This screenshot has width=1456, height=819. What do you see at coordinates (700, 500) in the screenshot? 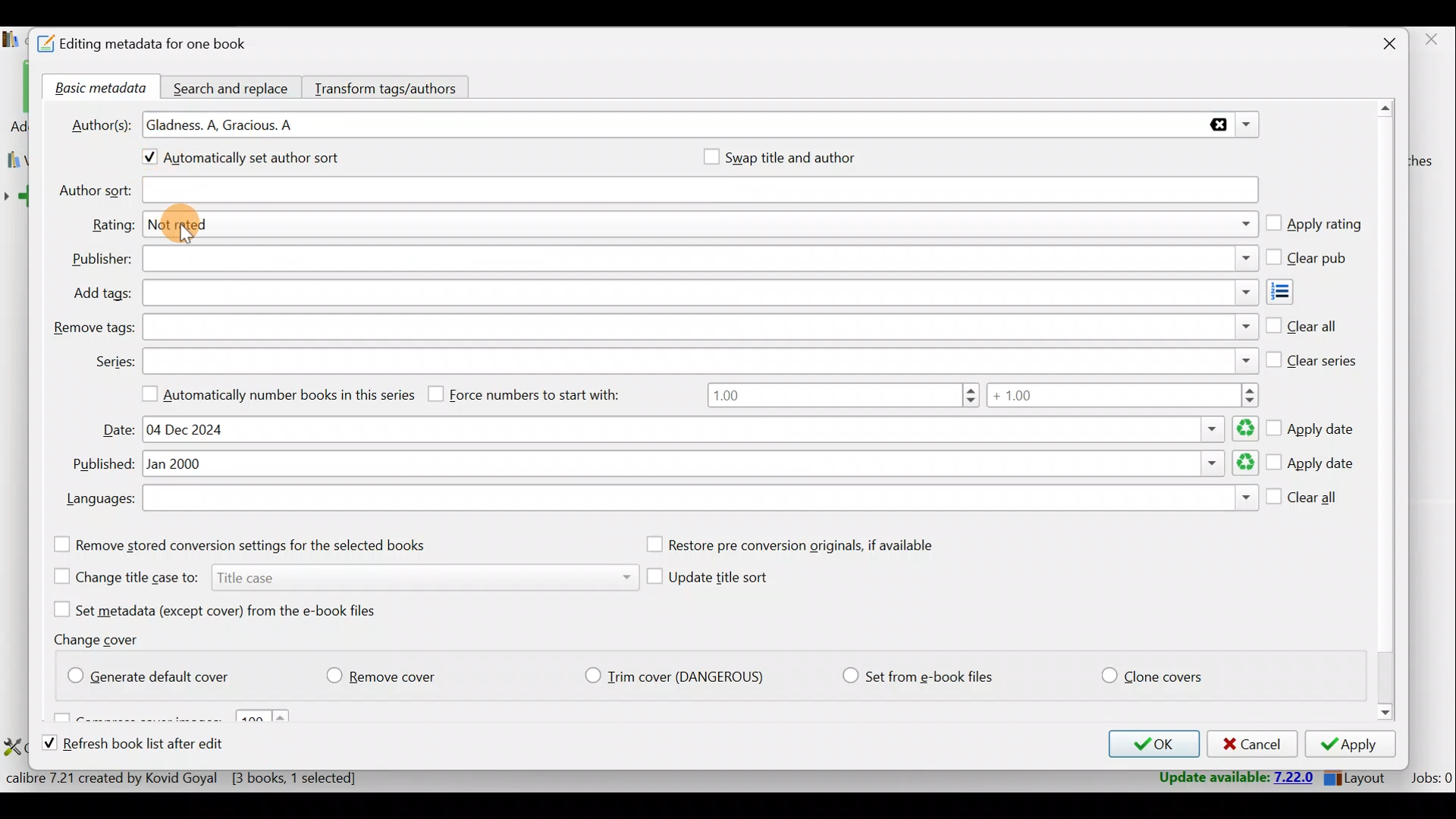
I see `Languages` at bounding box center [700, 500].